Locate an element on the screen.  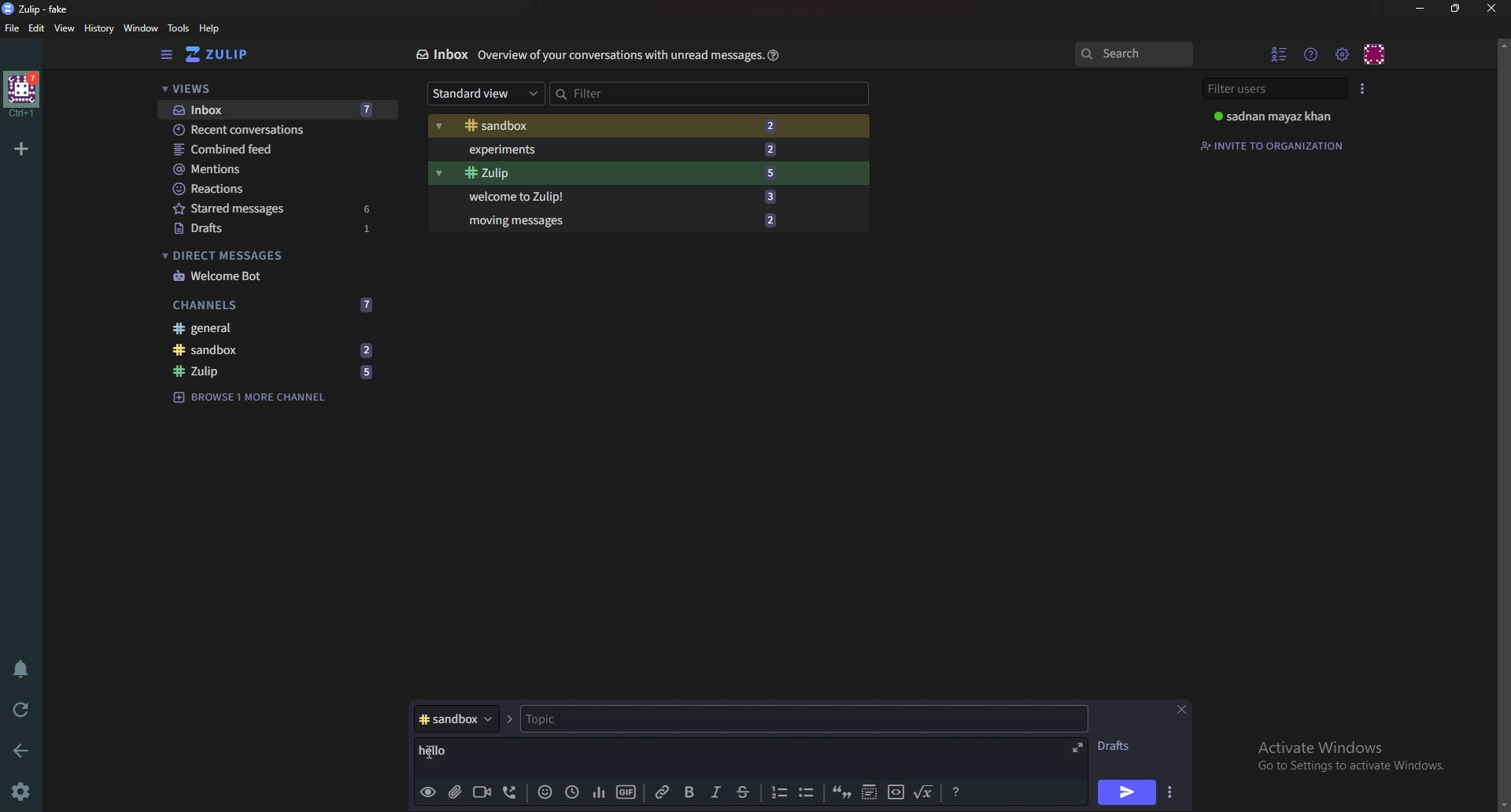
Combined feed is located at coordinates (268, 148).